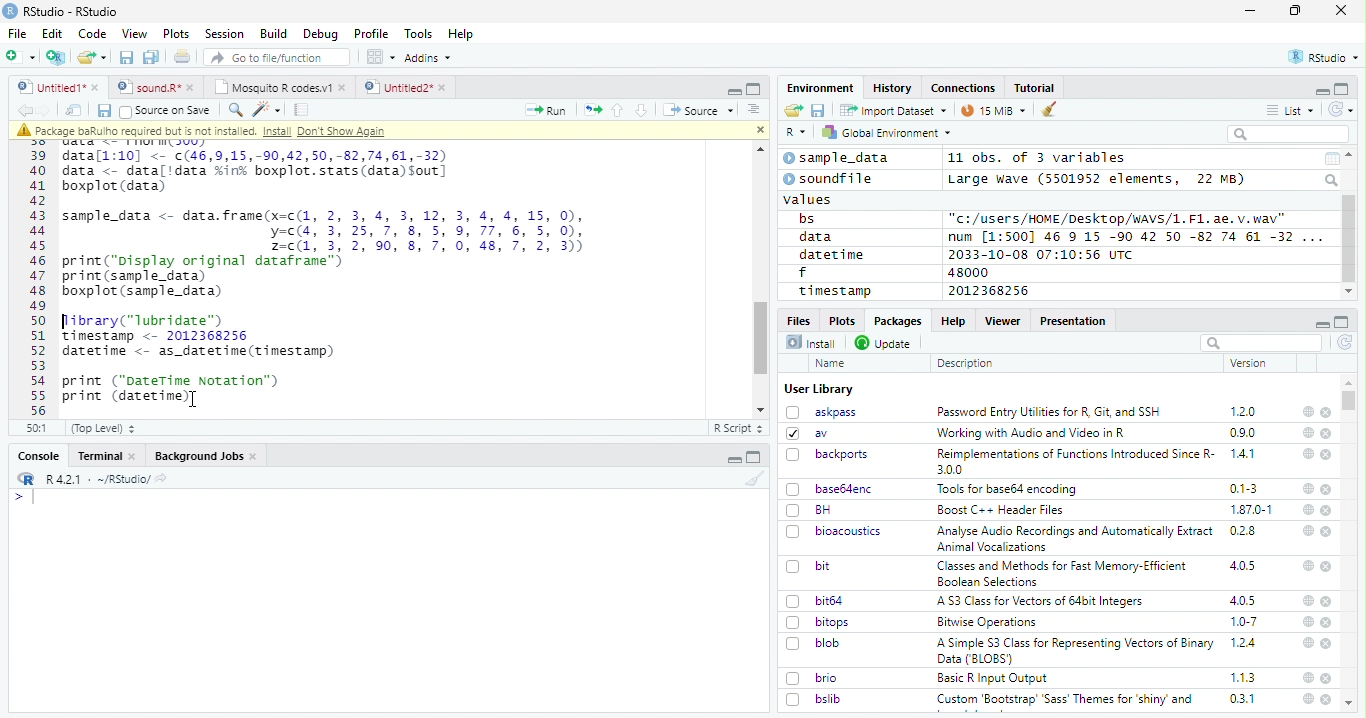 This screenshot has width=1366, height=718. Describe the element at coordinates (1003, 320) in the screenshot. I see `Viewer` at that location.